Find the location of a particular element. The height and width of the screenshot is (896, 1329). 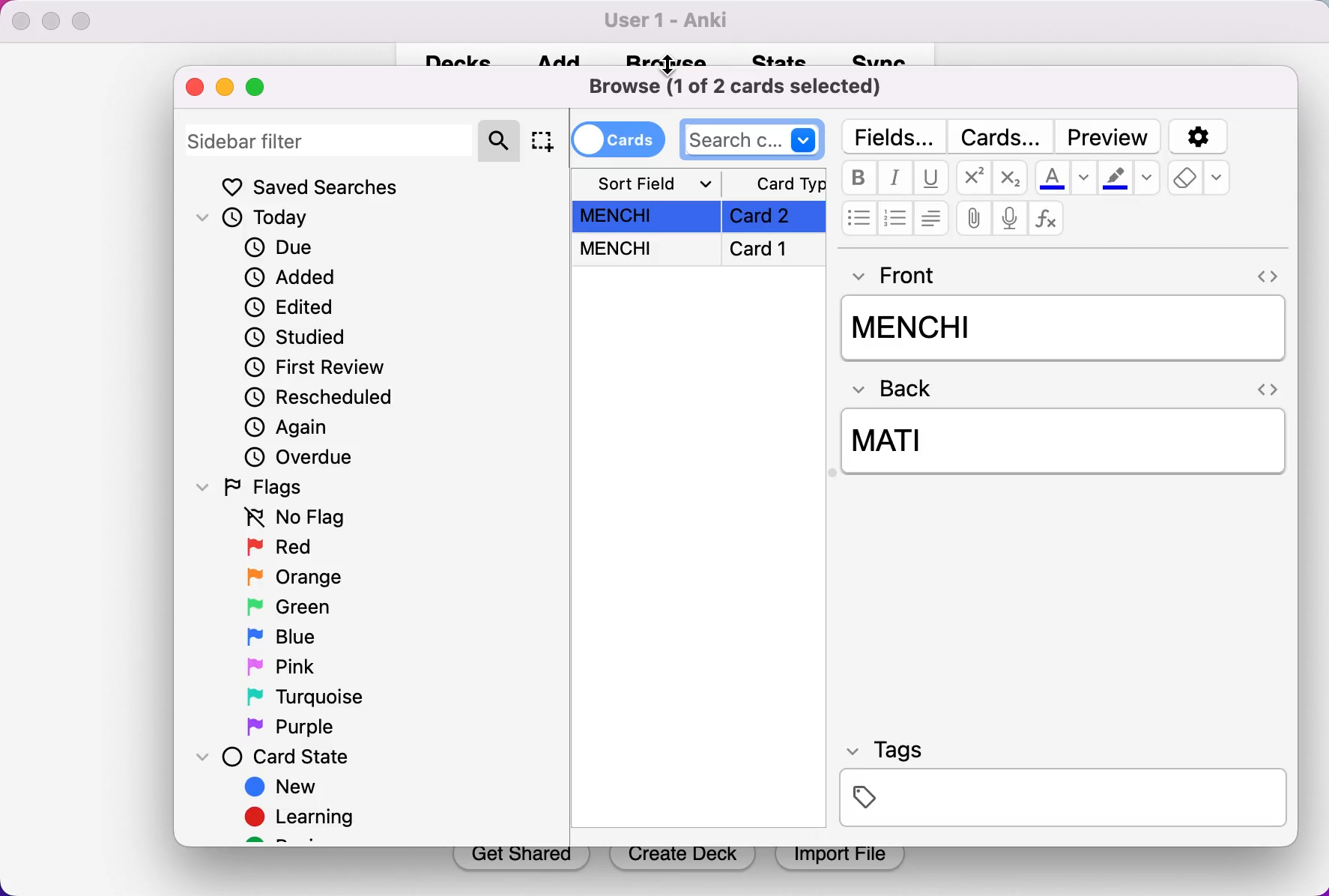

ordered list is located at coordinates (894, 217).